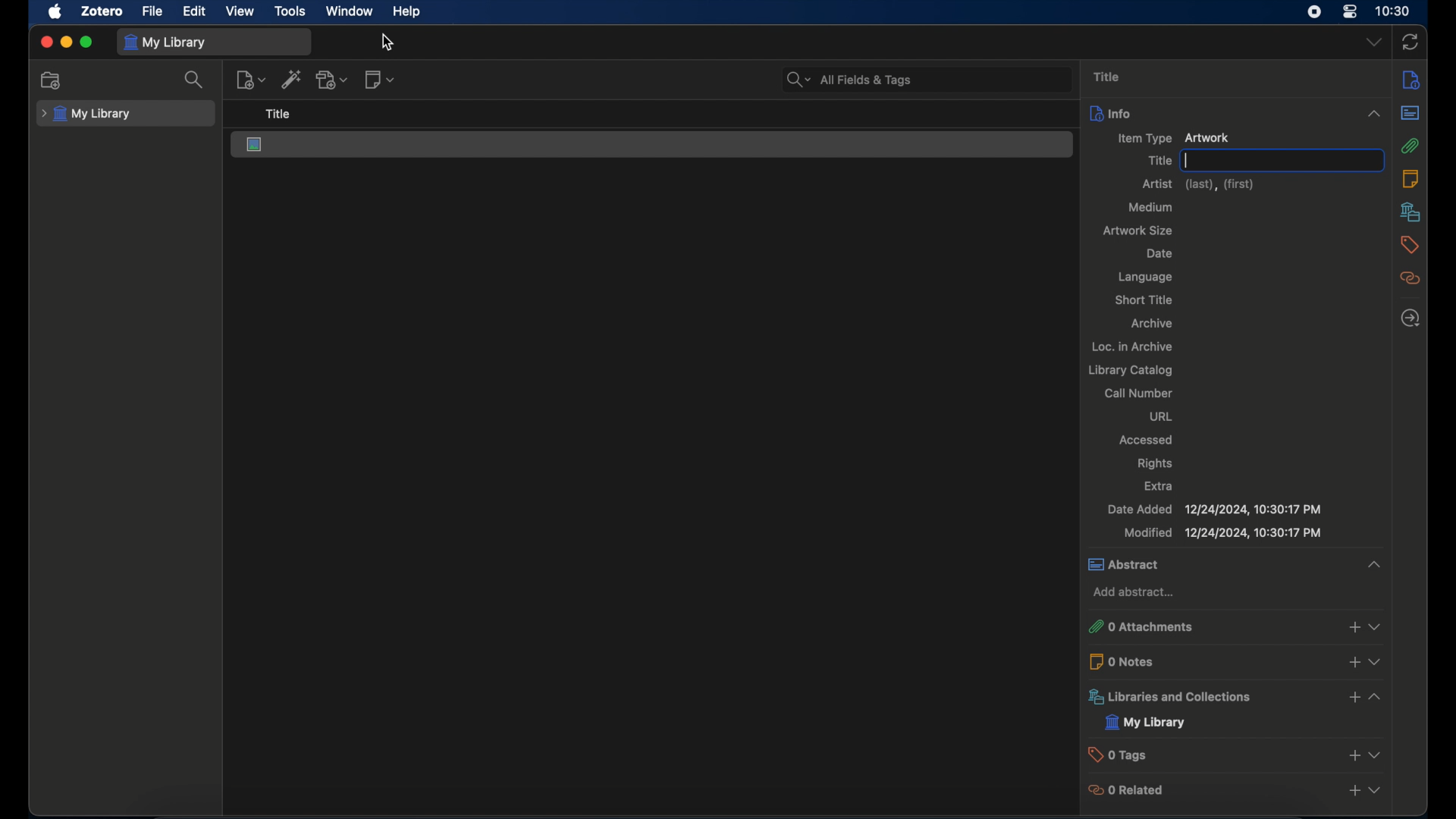 This screenshot has width=1456, height=819. What do you see at coordinates (51, 80) in the screenshot?
I see `new collection` at bounding box center [51, 80].